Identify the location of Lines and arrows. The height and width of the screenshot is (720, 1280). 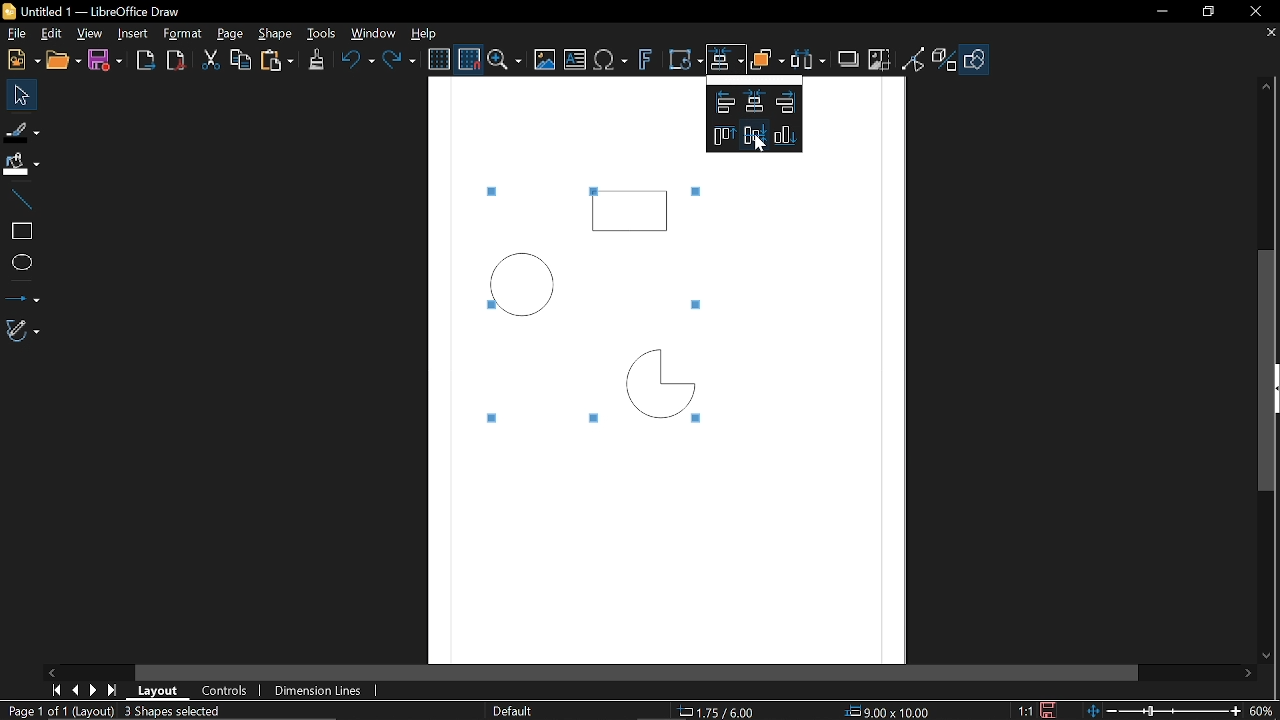
(22, 297).